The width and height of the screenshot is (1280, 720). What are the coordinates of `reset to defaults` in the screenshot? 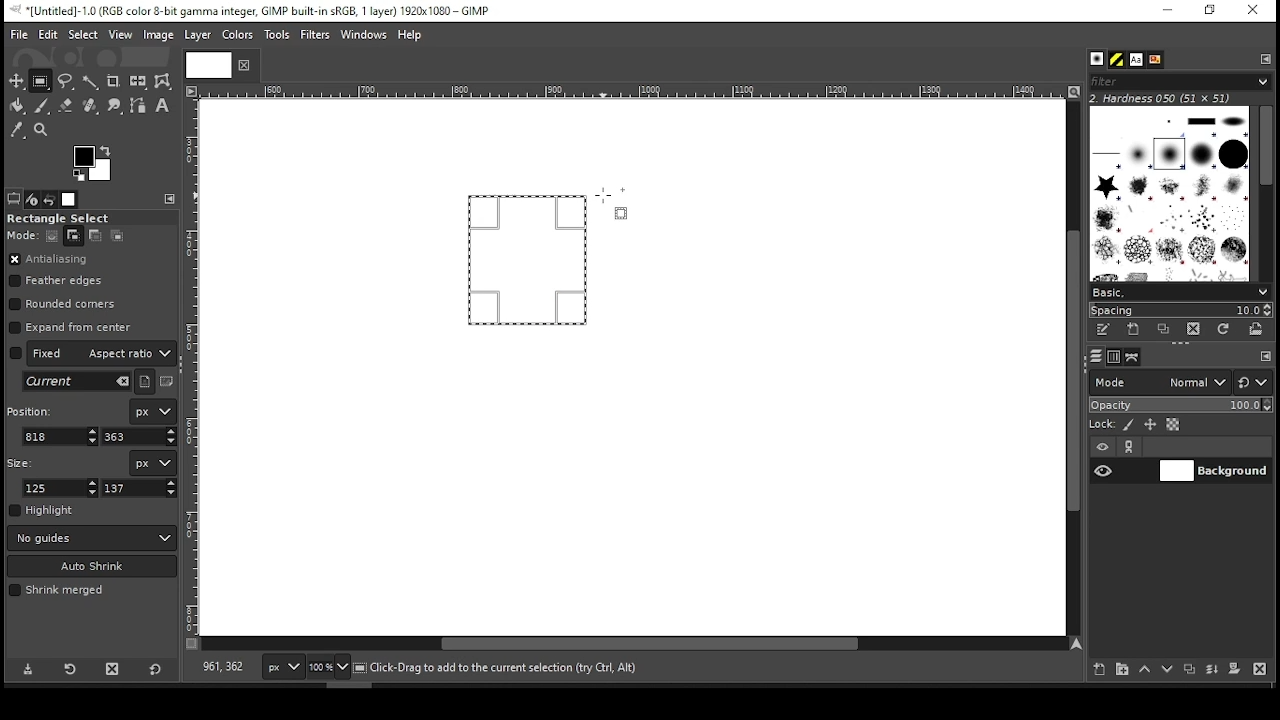 It's located at (156, 670).